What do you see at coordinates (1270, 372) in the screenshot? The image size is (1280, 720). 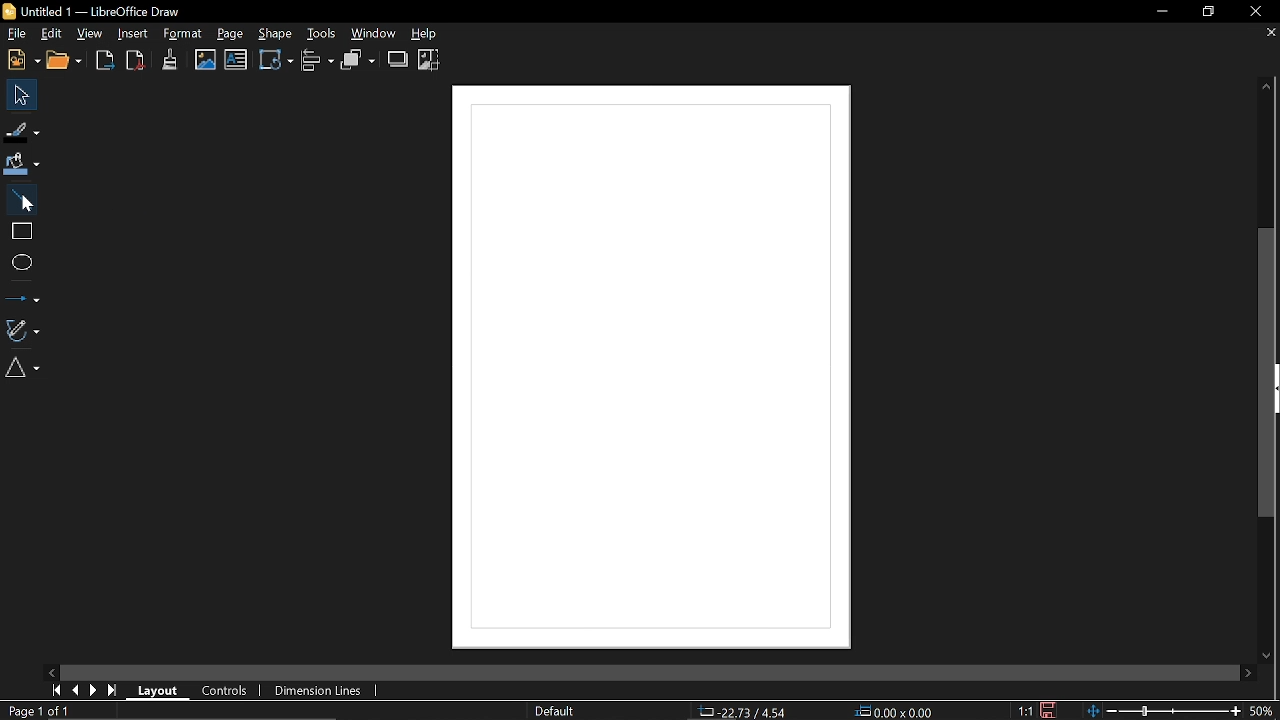 I see `Vertical scrollbar` at bounding box center [1270, 372].